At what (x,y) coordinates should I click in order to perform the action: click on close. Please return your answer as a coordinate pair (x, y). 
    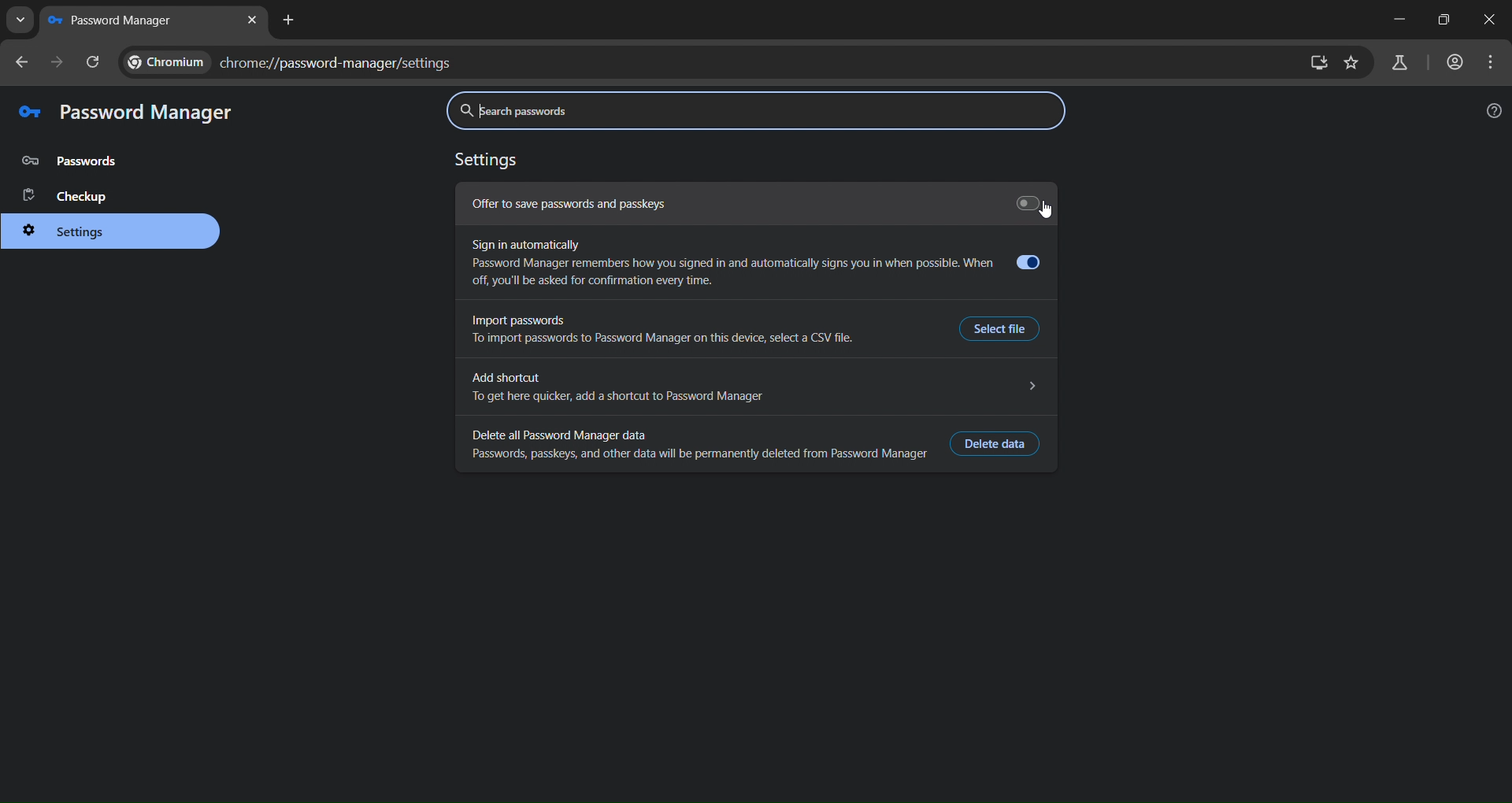
    Looking at the image, I should click on (1488, 18).